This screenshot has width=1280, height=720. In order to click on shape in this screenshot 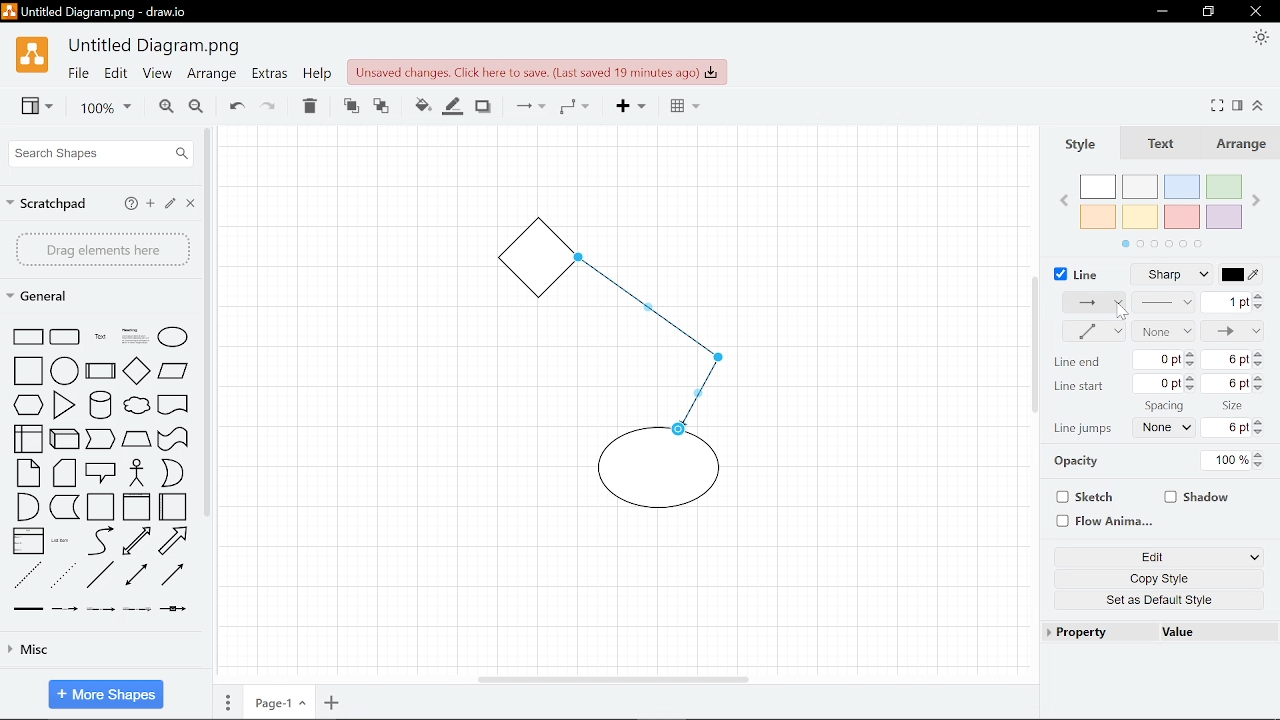, I will do `click(139, 542)`.